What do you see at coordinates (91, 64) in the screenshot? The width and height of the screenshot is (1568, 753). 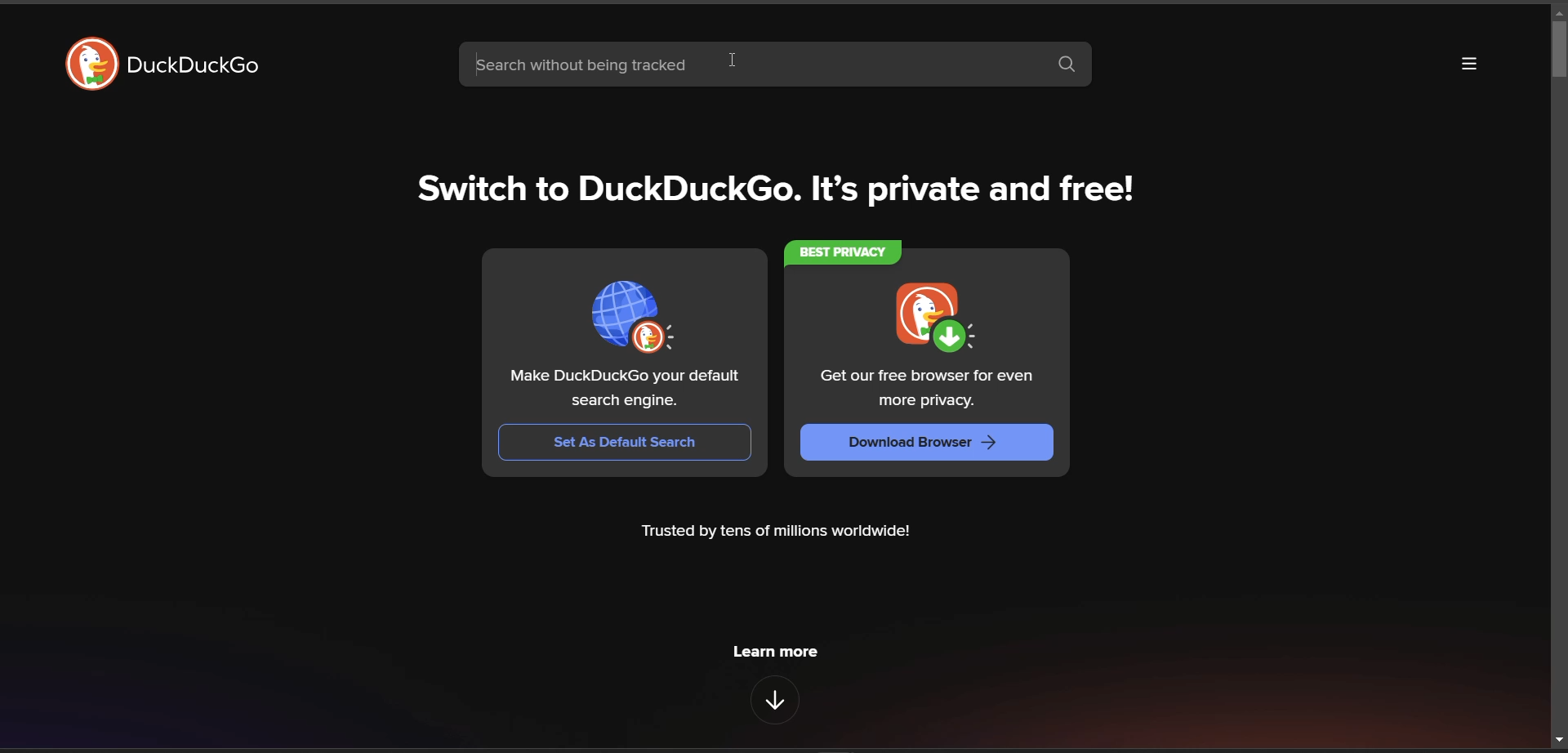 I see `logo` at bounding box center [91, 64].